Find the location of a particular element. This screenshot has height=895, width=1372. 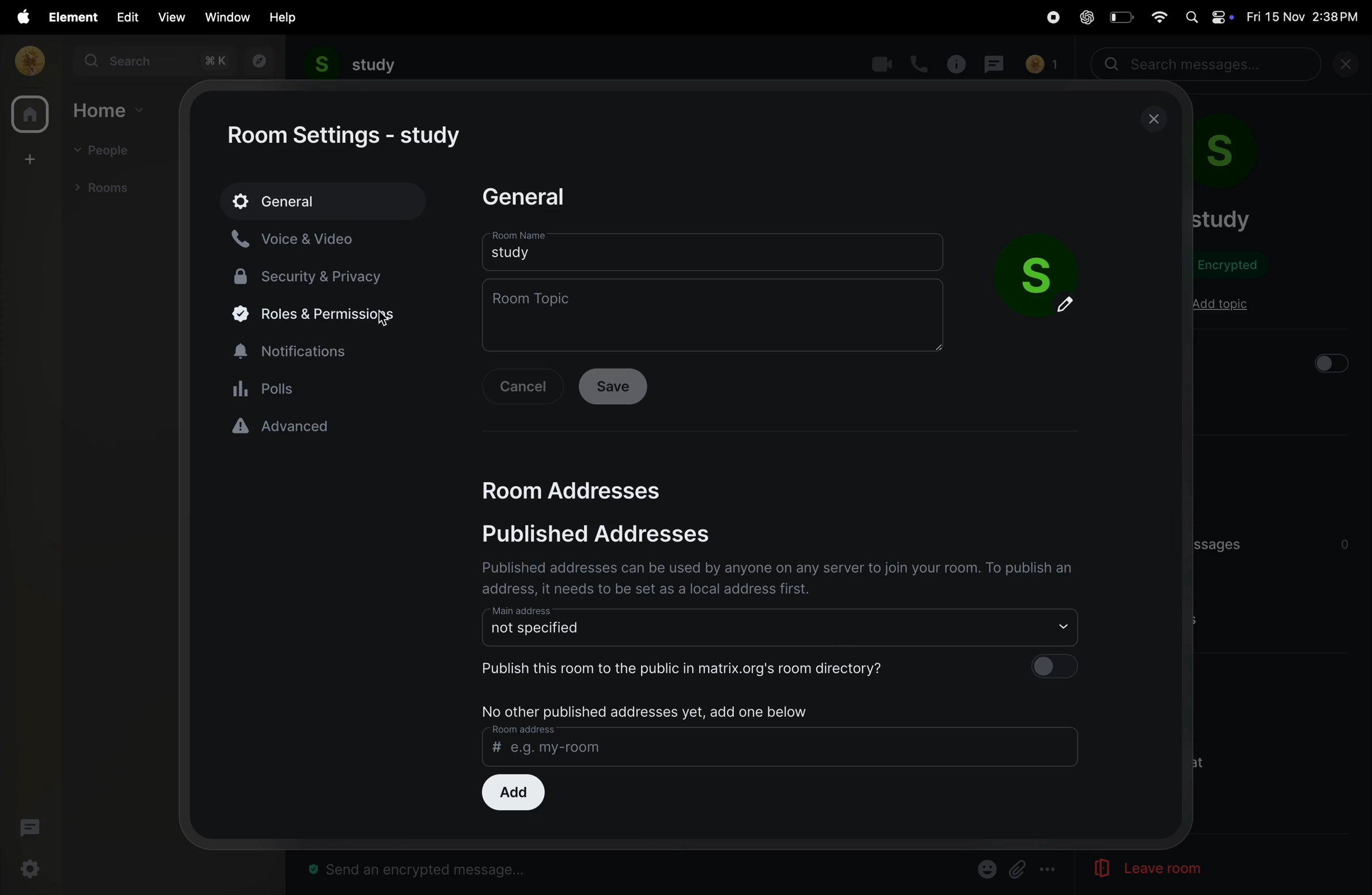

button is located at coordinates (1335, 363).